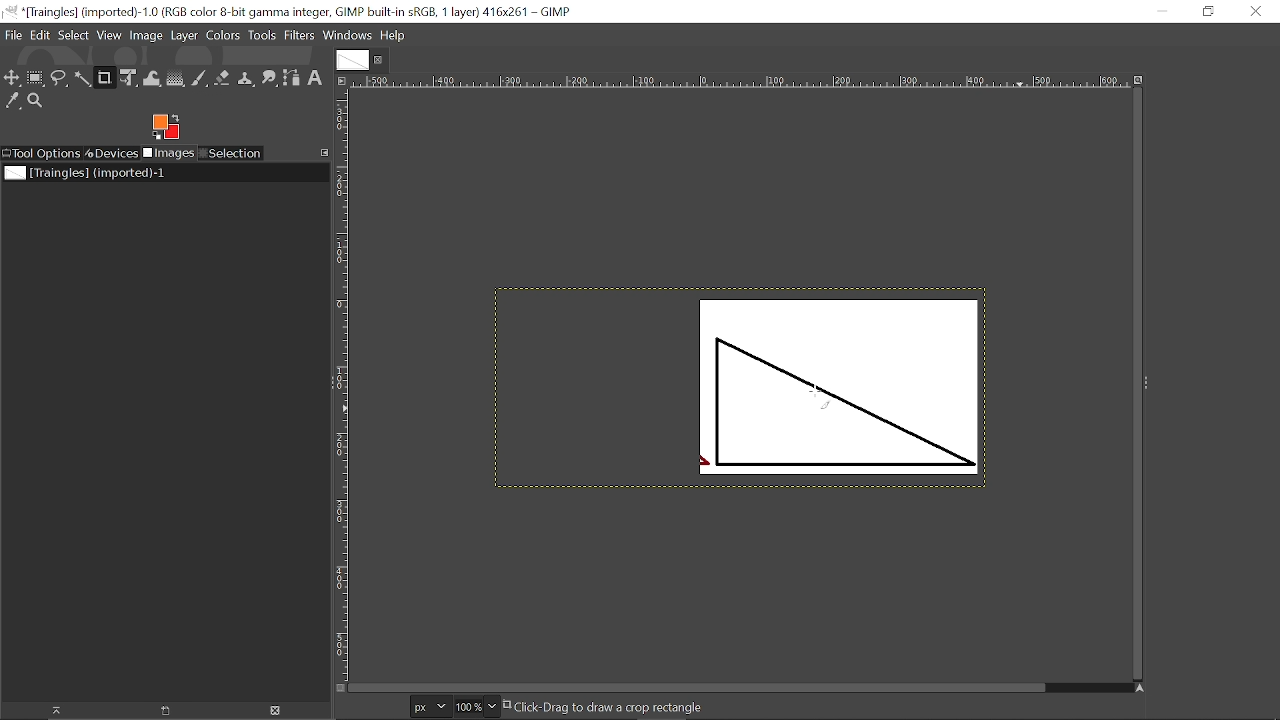 This screenshot has width=1280, height=720. What do you see at coordinates (379, 57) in the screenshot?
I see `Close current tab` at bounding box center [379, 57].